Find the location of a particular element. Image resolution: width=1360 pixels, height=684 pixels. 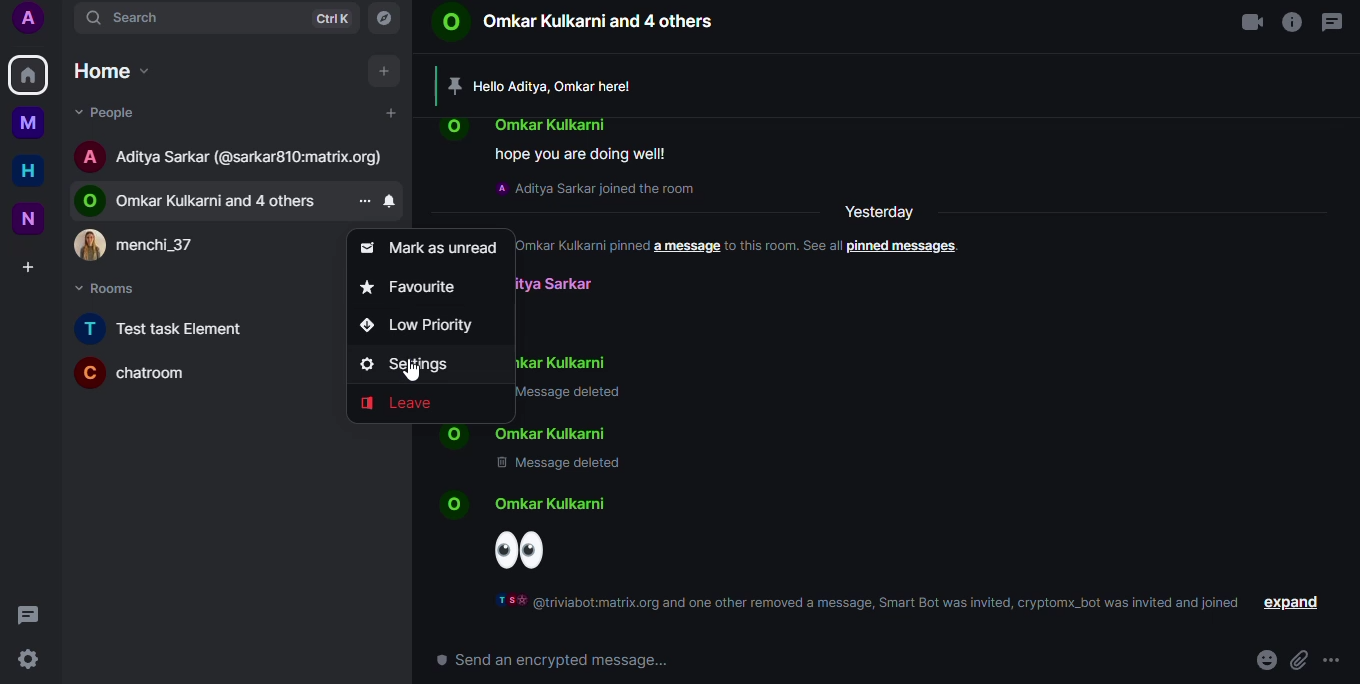

search is located at coordinates (145, 18).